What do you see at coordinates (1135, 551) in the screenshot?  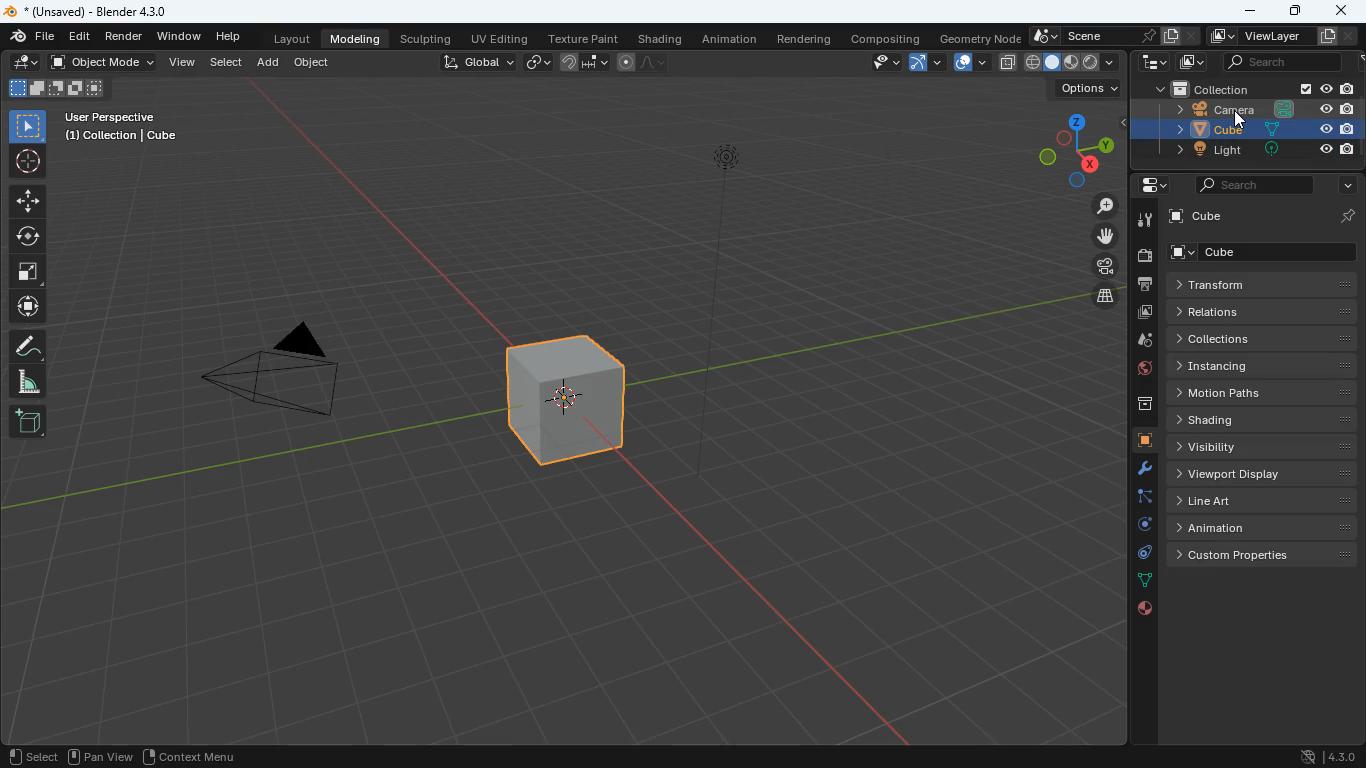 I see `control` at bounding box center [1135, 551].